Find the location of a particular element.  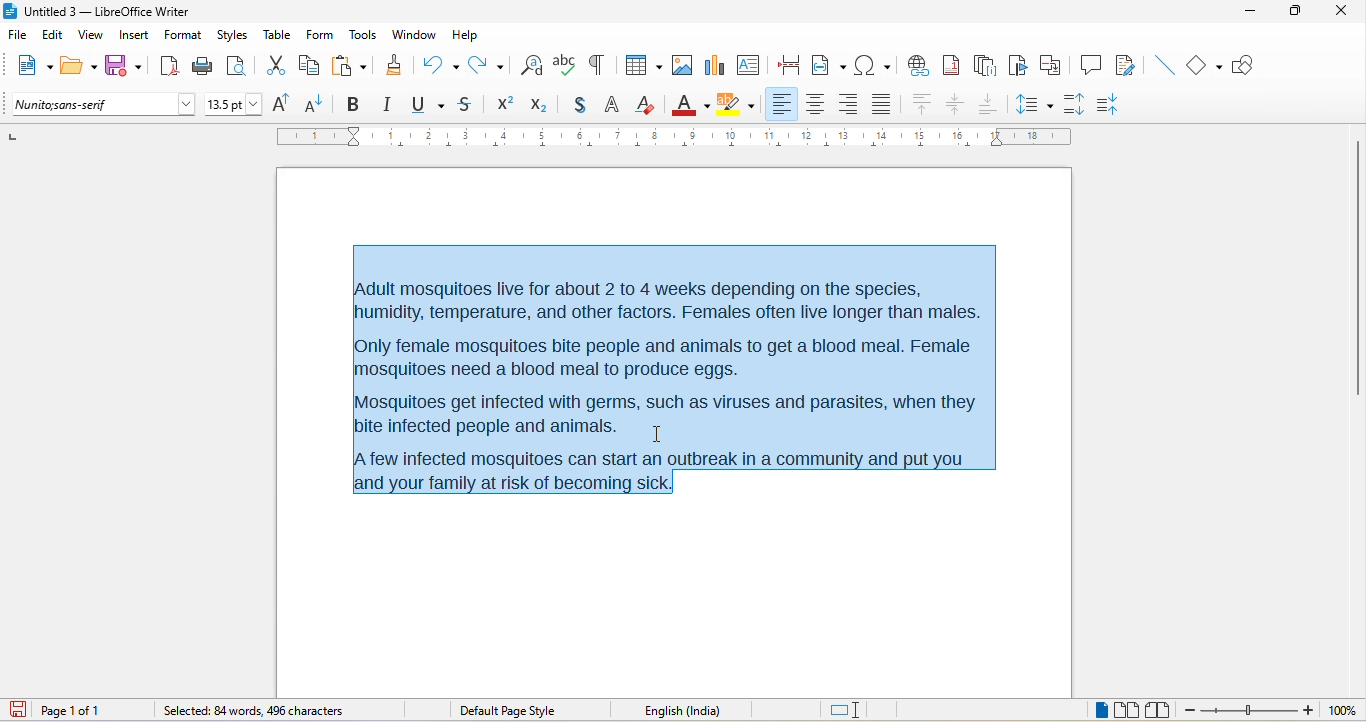

print preview is located at coordinates (241, 66).